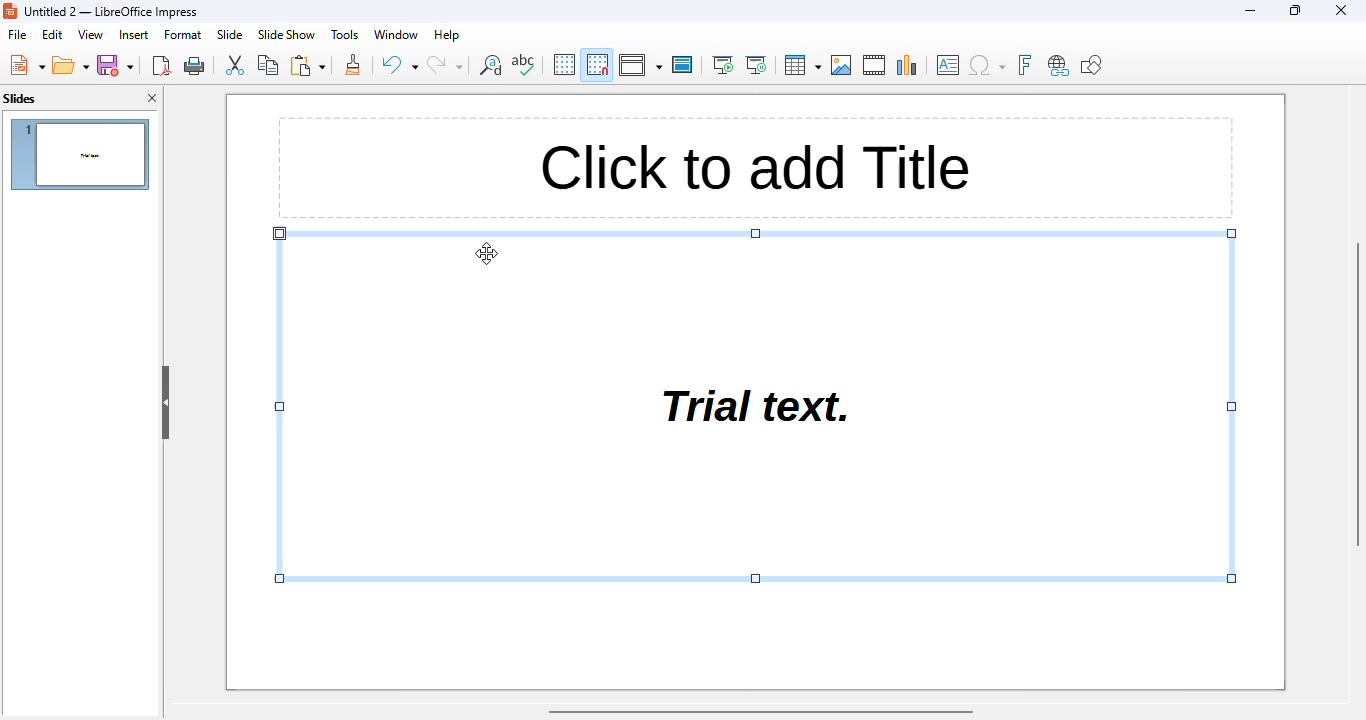 Image resolution: width=1366 pixels, height=720 pixels. What do you see at coordinates (843, 65) in the screenshot?
I see `insert image` at bounding box center [843, 65].